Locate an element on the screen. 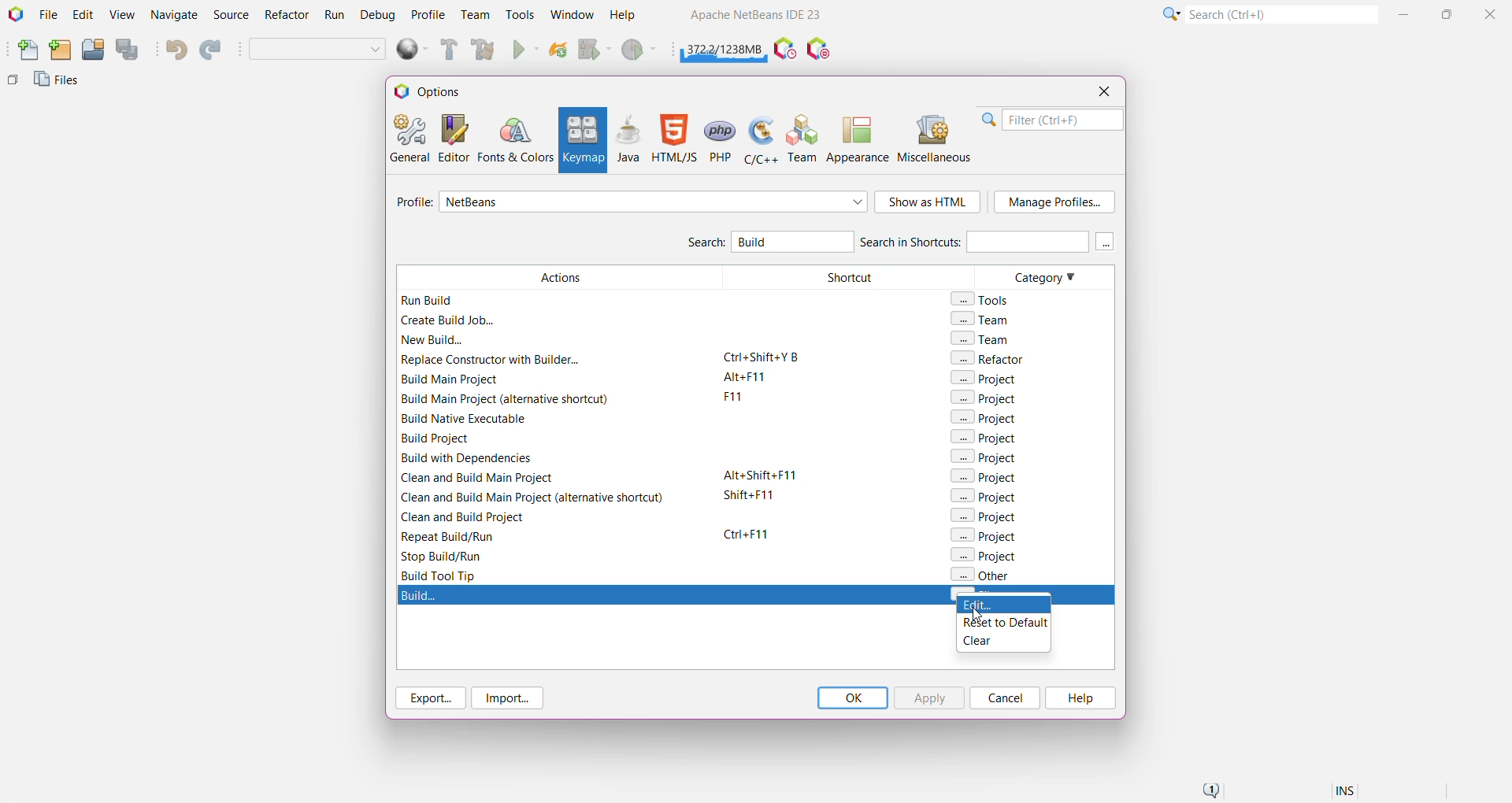  Maximize is located at coordinates (1449, 13).